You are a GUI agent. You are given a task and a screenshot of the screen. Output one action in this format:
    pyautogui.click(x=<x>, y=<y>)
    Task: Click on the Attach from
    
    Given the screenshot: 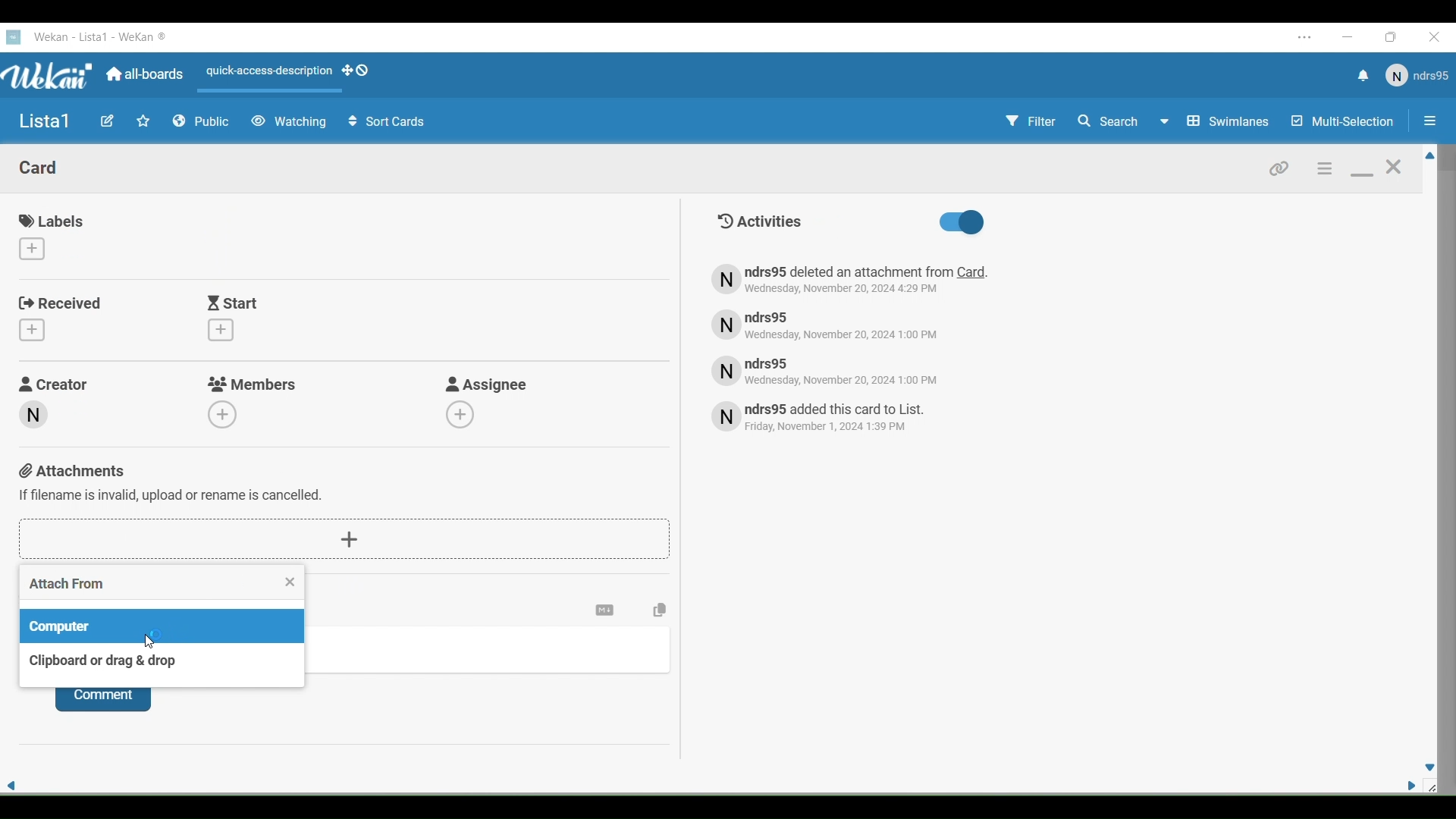 What is the action you would take?
    pyautogui.click(x=152, y=582)
    